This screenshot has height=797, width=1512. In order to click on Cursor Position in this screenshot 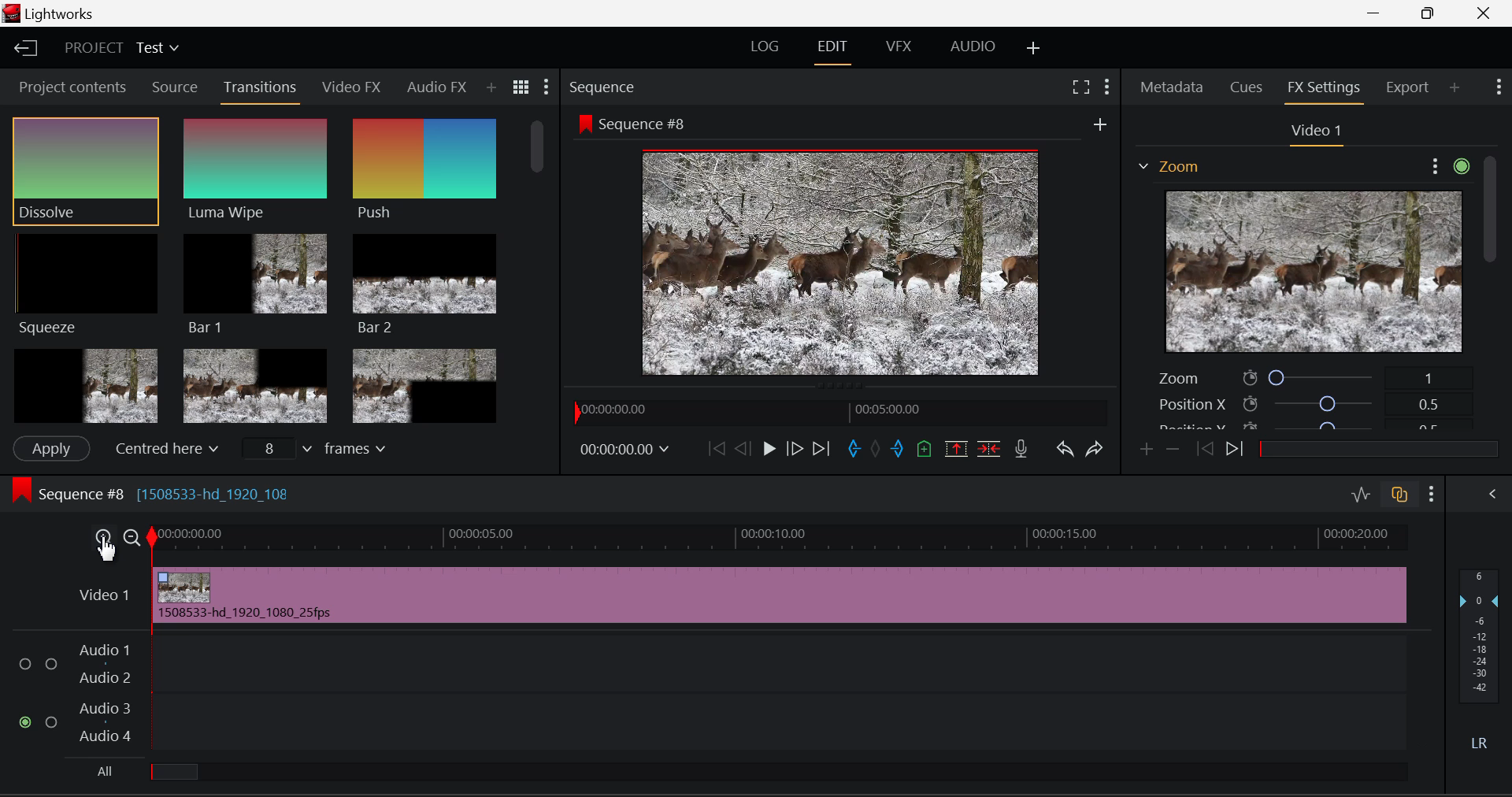, I will do `click(107, 550)`.